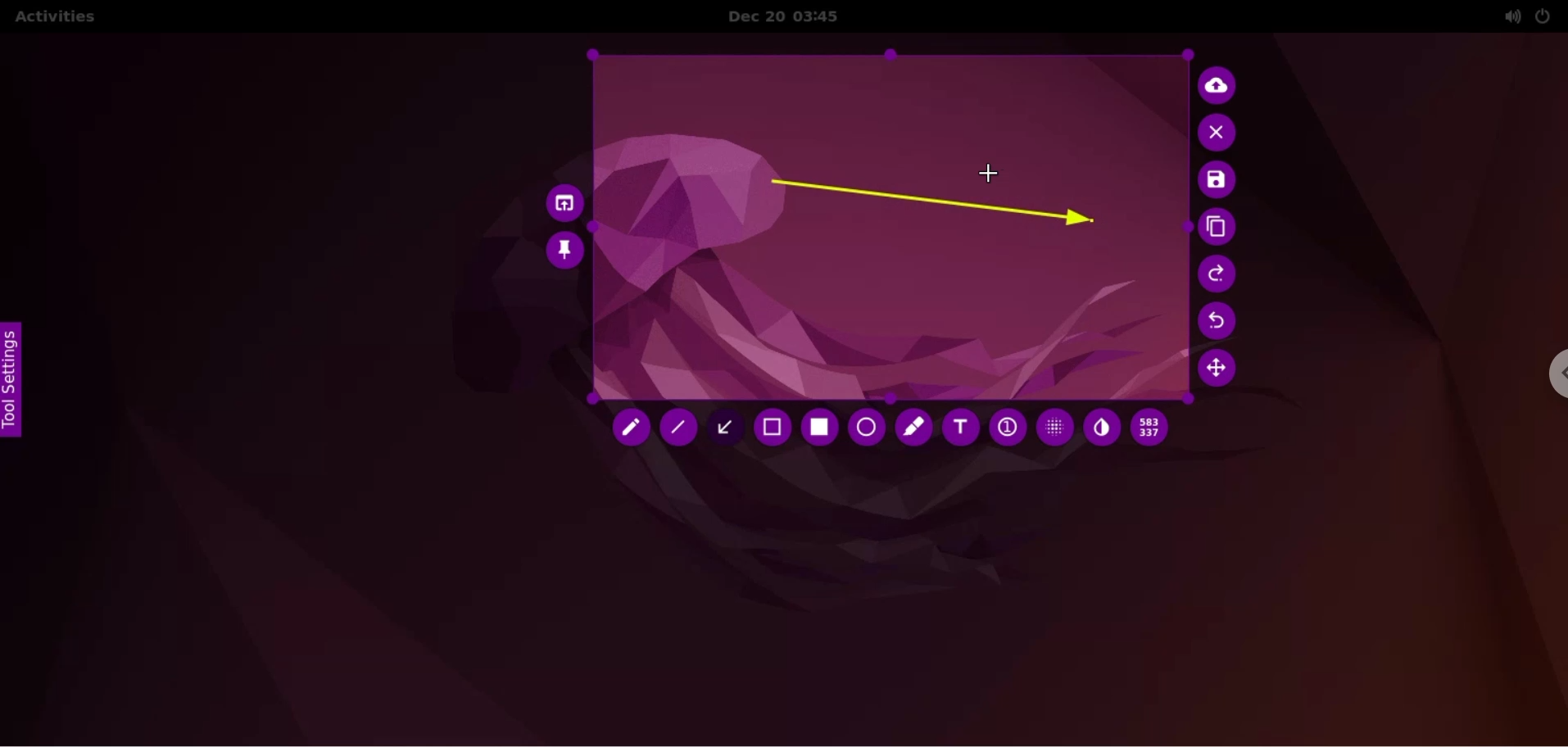 Image resolution: width=1568 pixels, height=747 pixels. What do you see at coordinates (18, 380) in the screenshot?
I see `tool settings` at bounding box center [18, 380].